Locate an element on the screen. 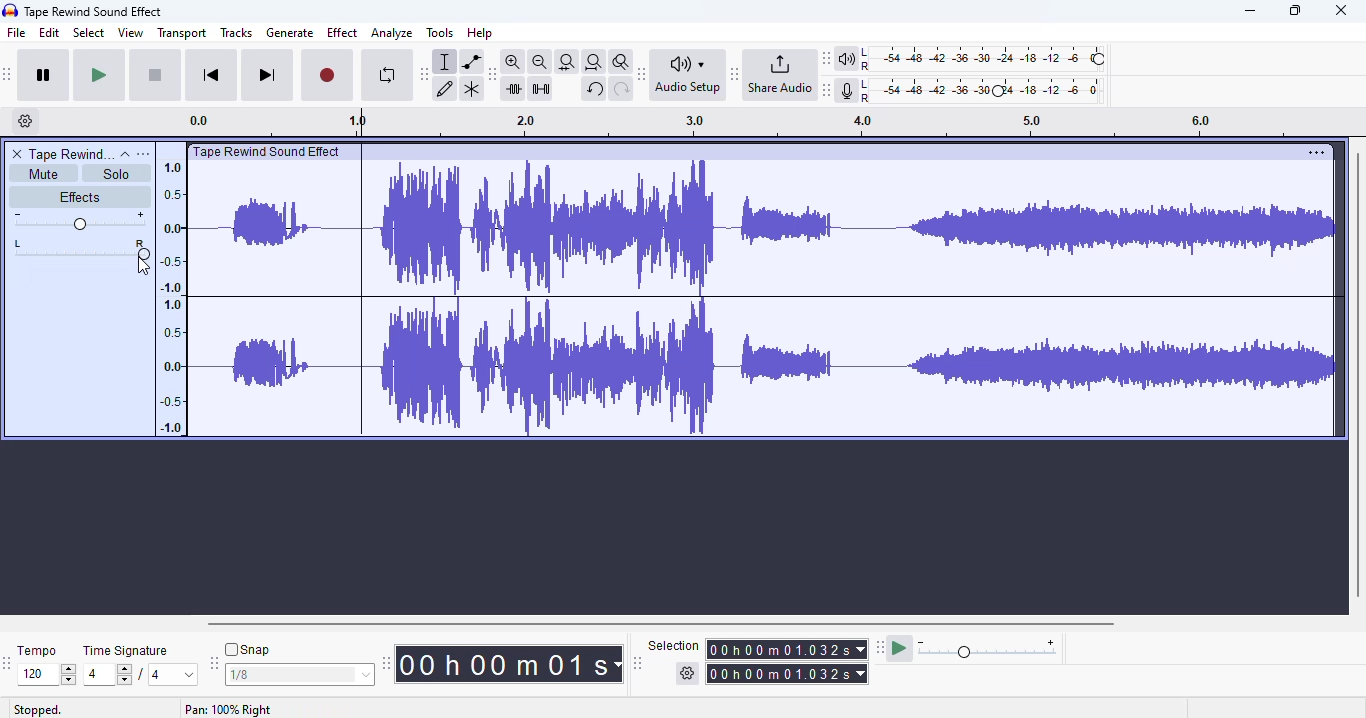 This screenshot has width=1366, height=718. 4/4 is located at coordinates (137, 674).